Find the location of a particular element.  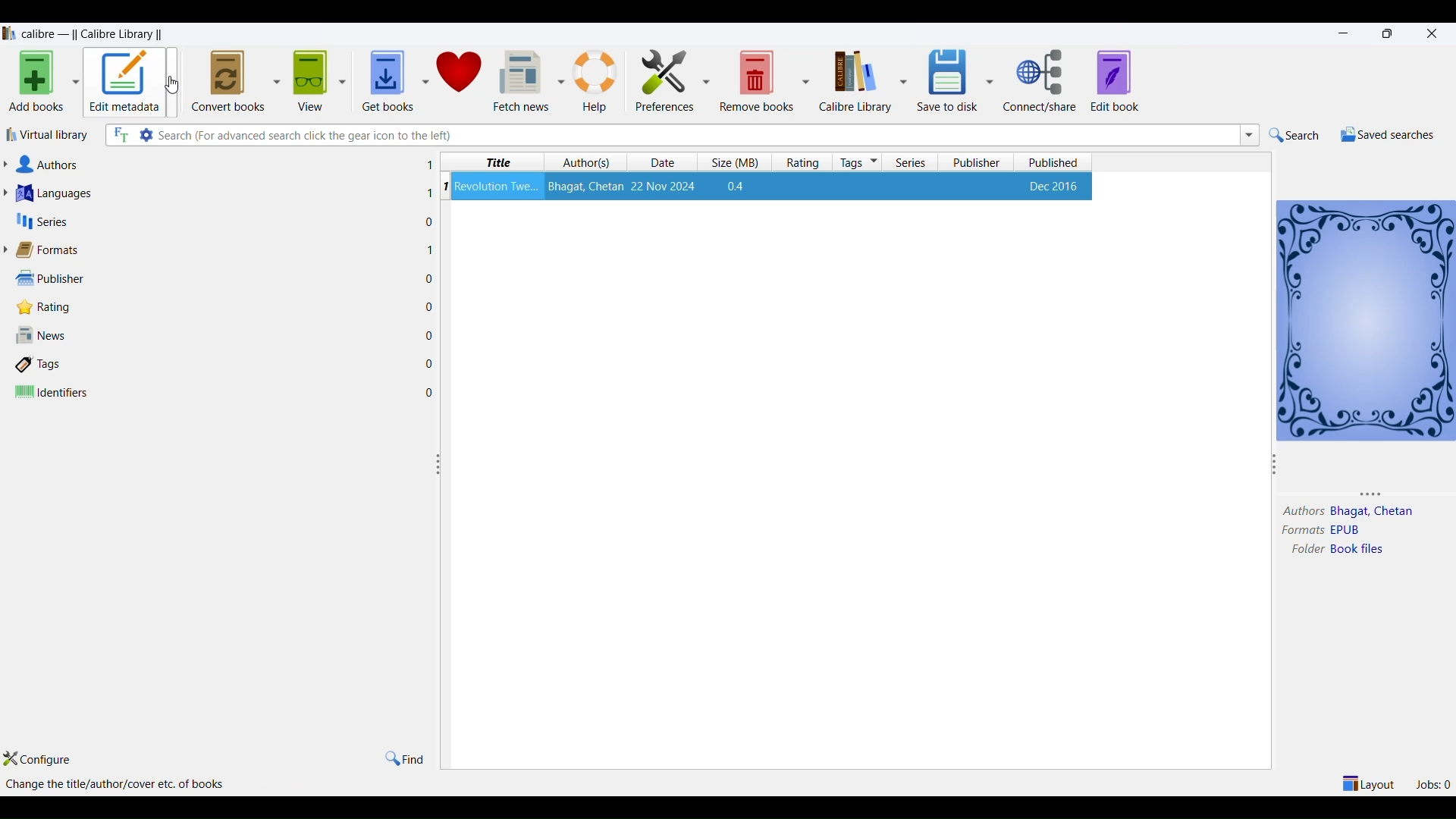

1 is located at coordinates (425, 193).